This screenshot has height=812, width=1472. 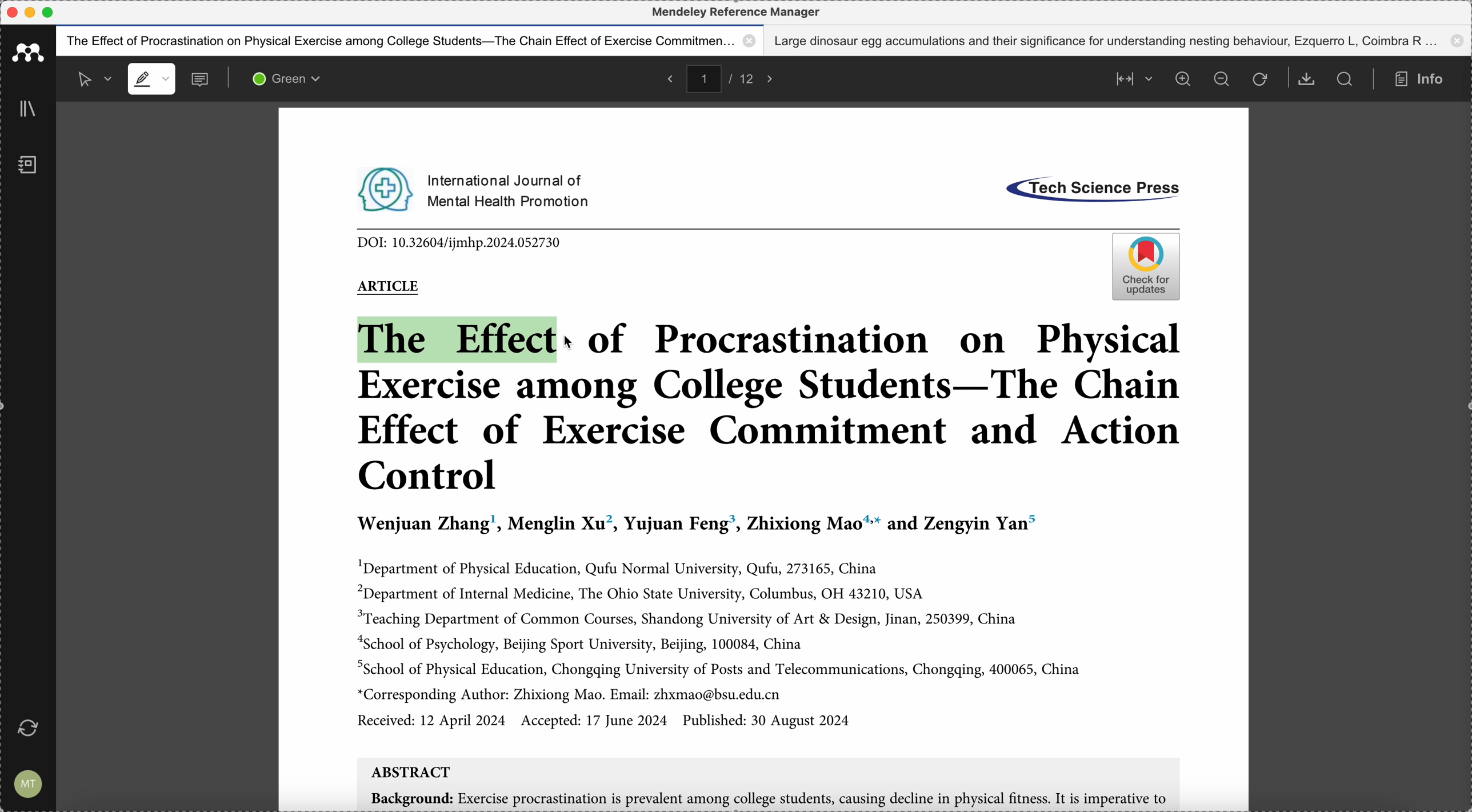 What do you see at coordinates (1423, 79) in the screenshot?
I see `info` at bounding box center [1423, 79].